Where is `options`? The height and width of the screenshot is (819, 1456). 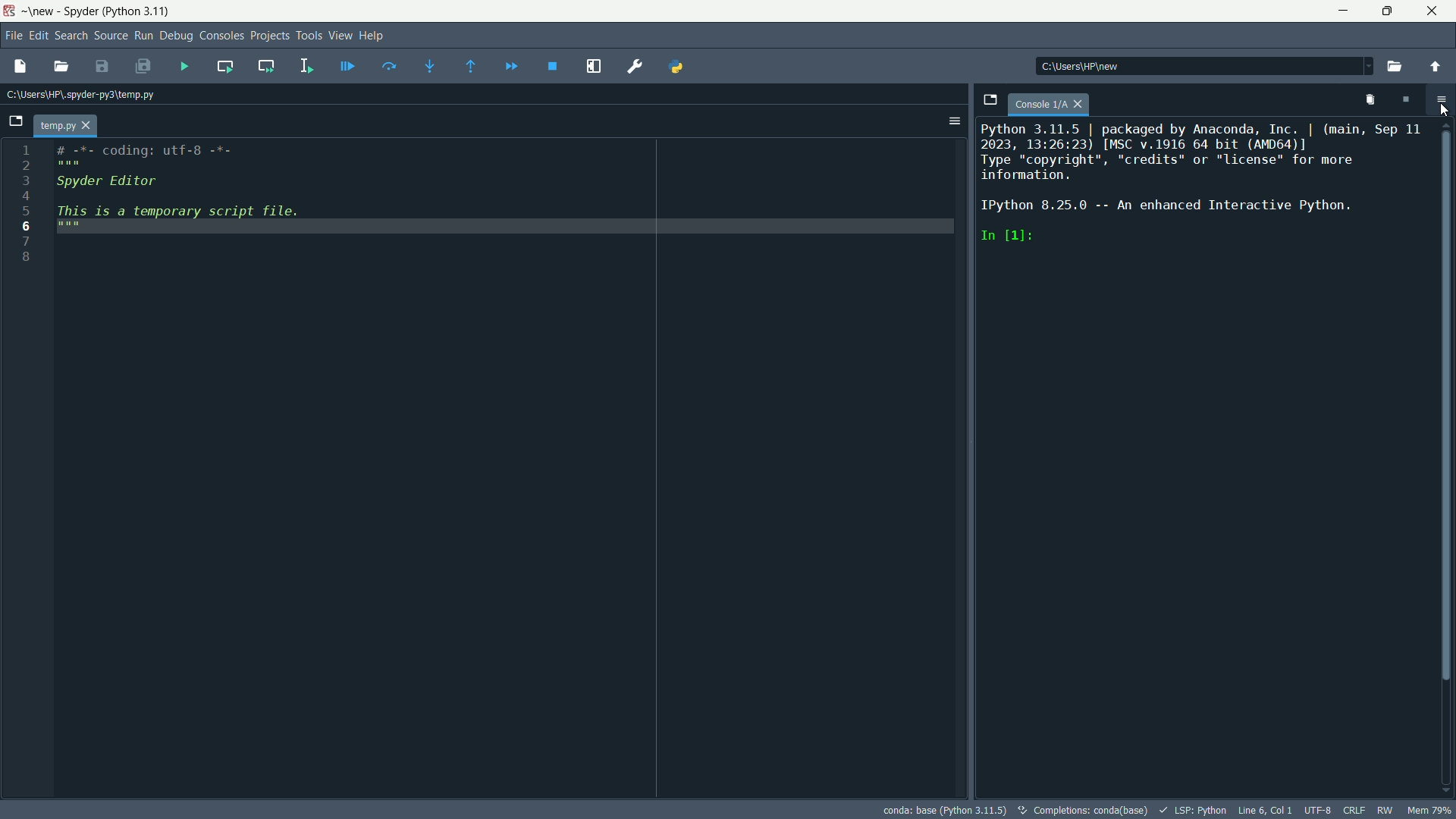 options is located at coordinates (949, 121).